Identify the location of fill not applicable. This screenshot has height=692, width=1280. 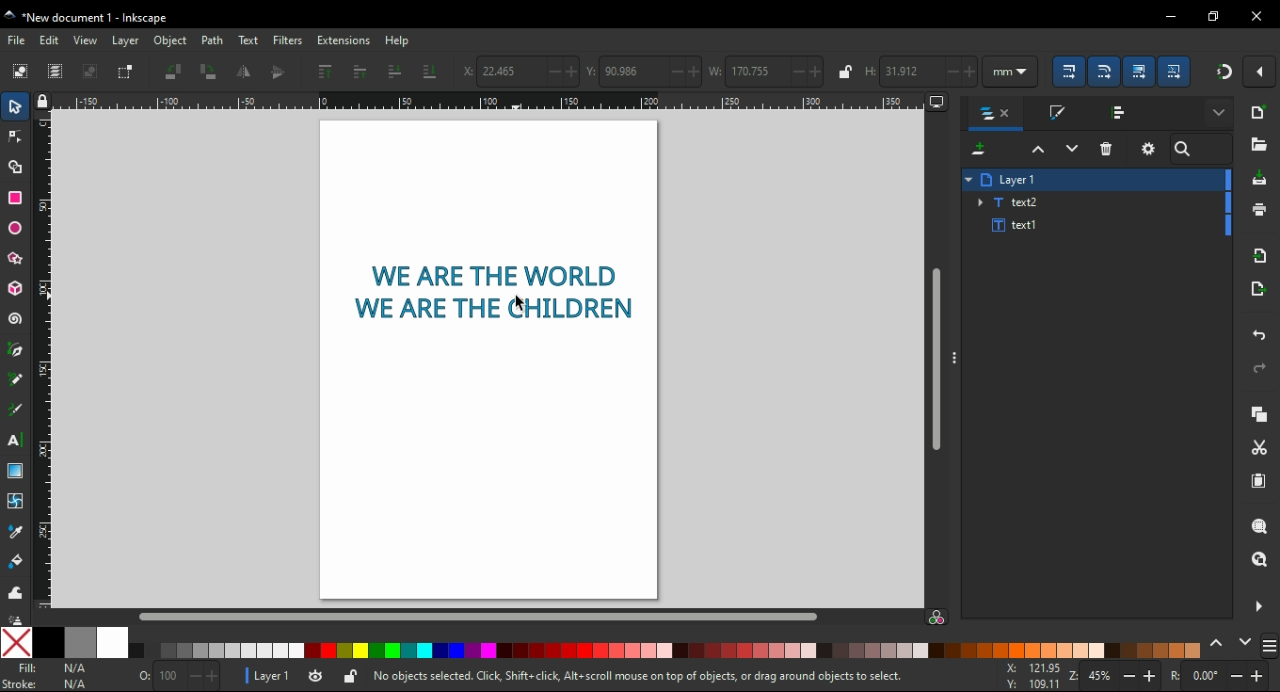
(54, 669).